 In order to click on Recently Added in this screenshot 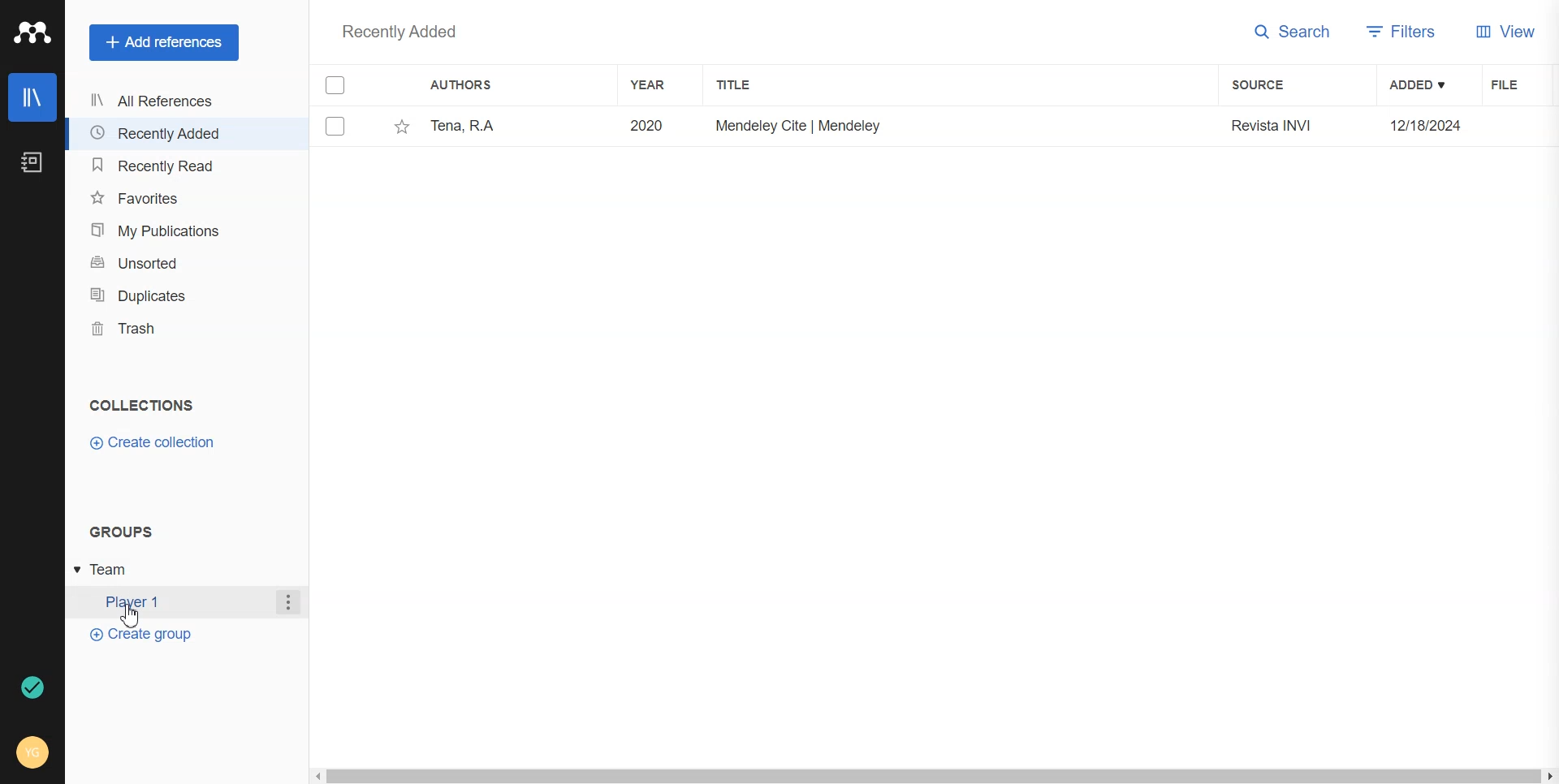, I will do `click(164, 134)`.